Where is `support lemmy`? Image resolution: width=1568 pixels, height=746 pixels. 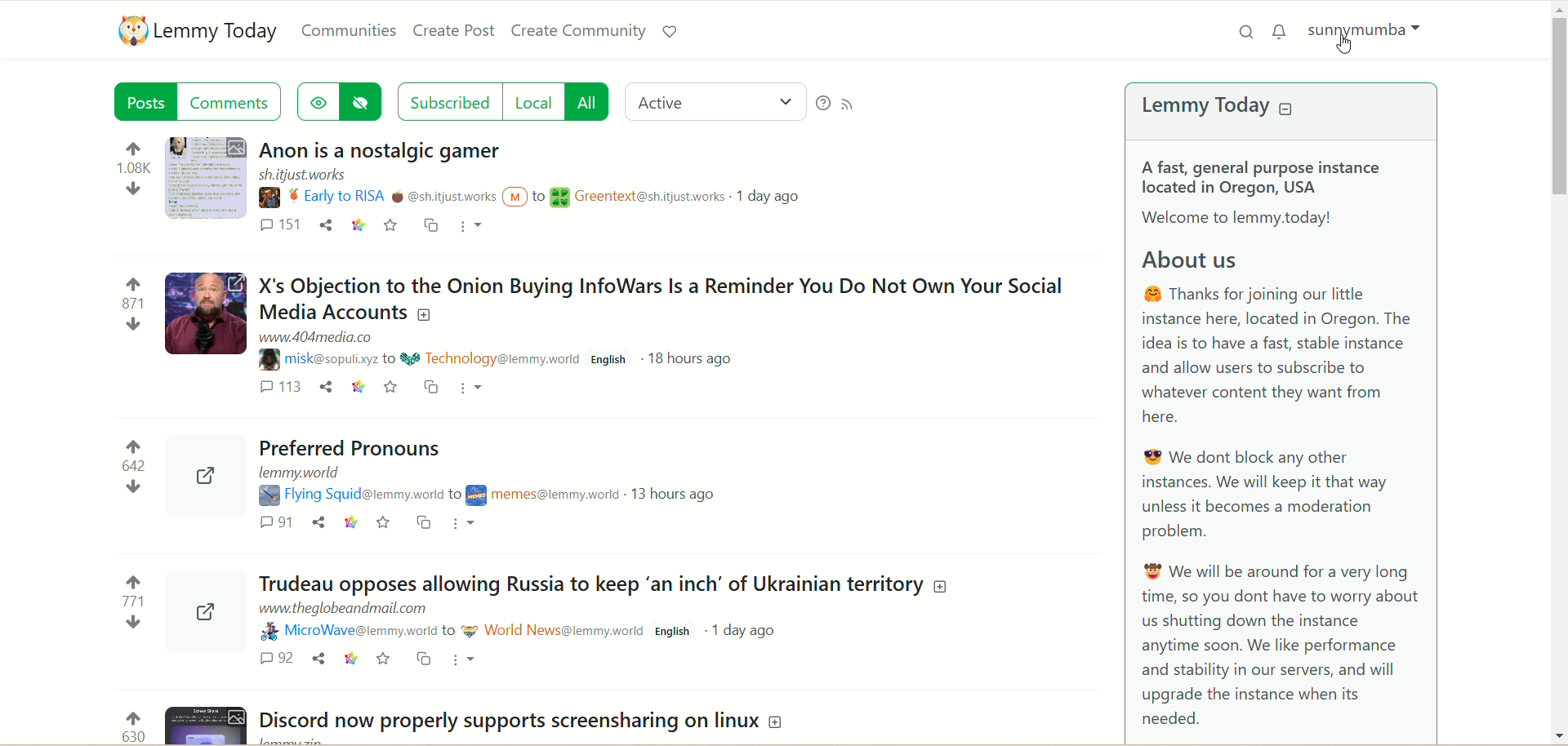 support lemmy is located at coordinates (670, 29).